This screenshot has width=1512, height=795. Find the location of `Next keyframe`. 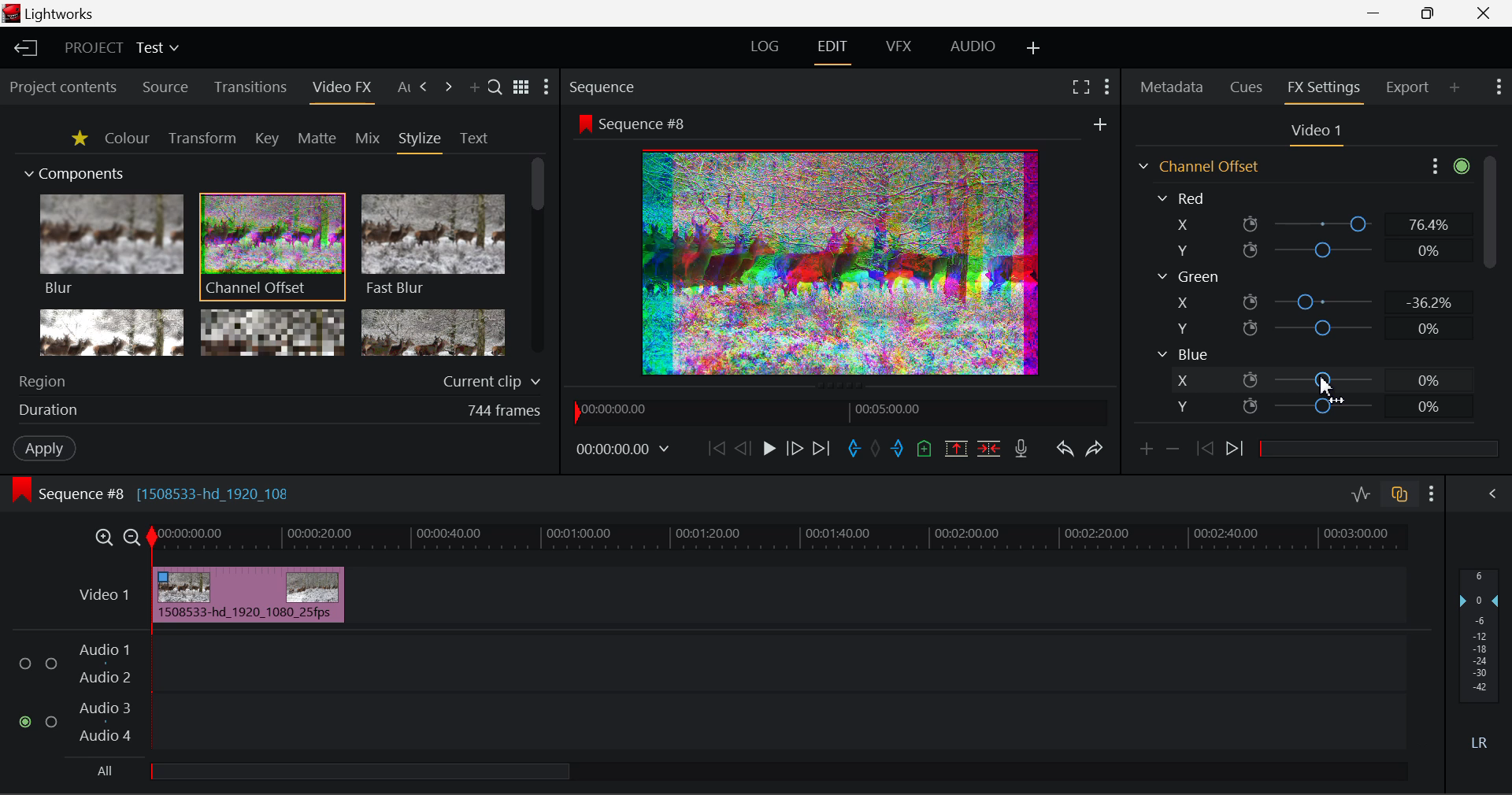

Next keyframe is located at coordinates (1237, 451).